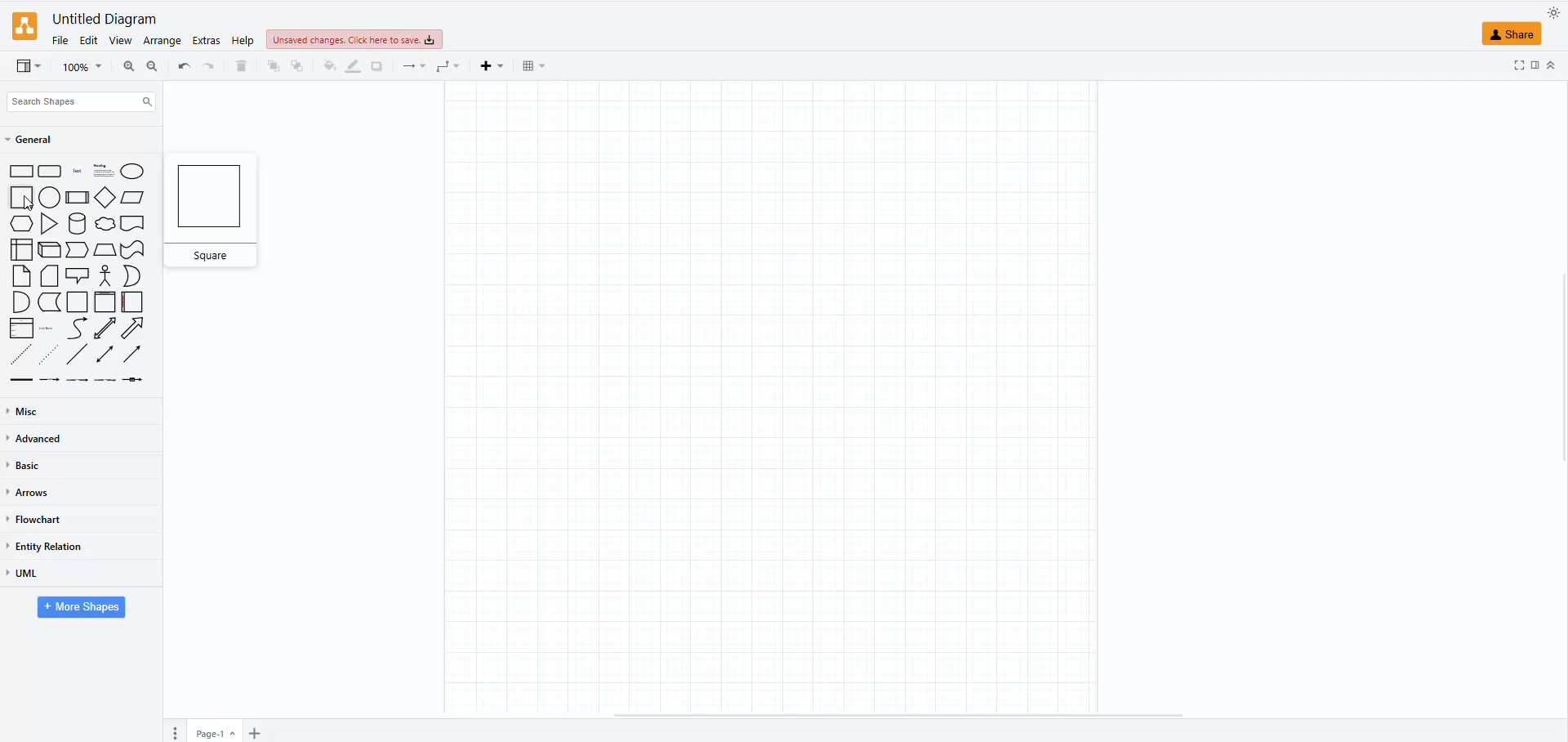 This screenshot has width=1568, height=742. Describe the element at coordinates (1557, 65) in the screenshot. I see `collapse` at that location.